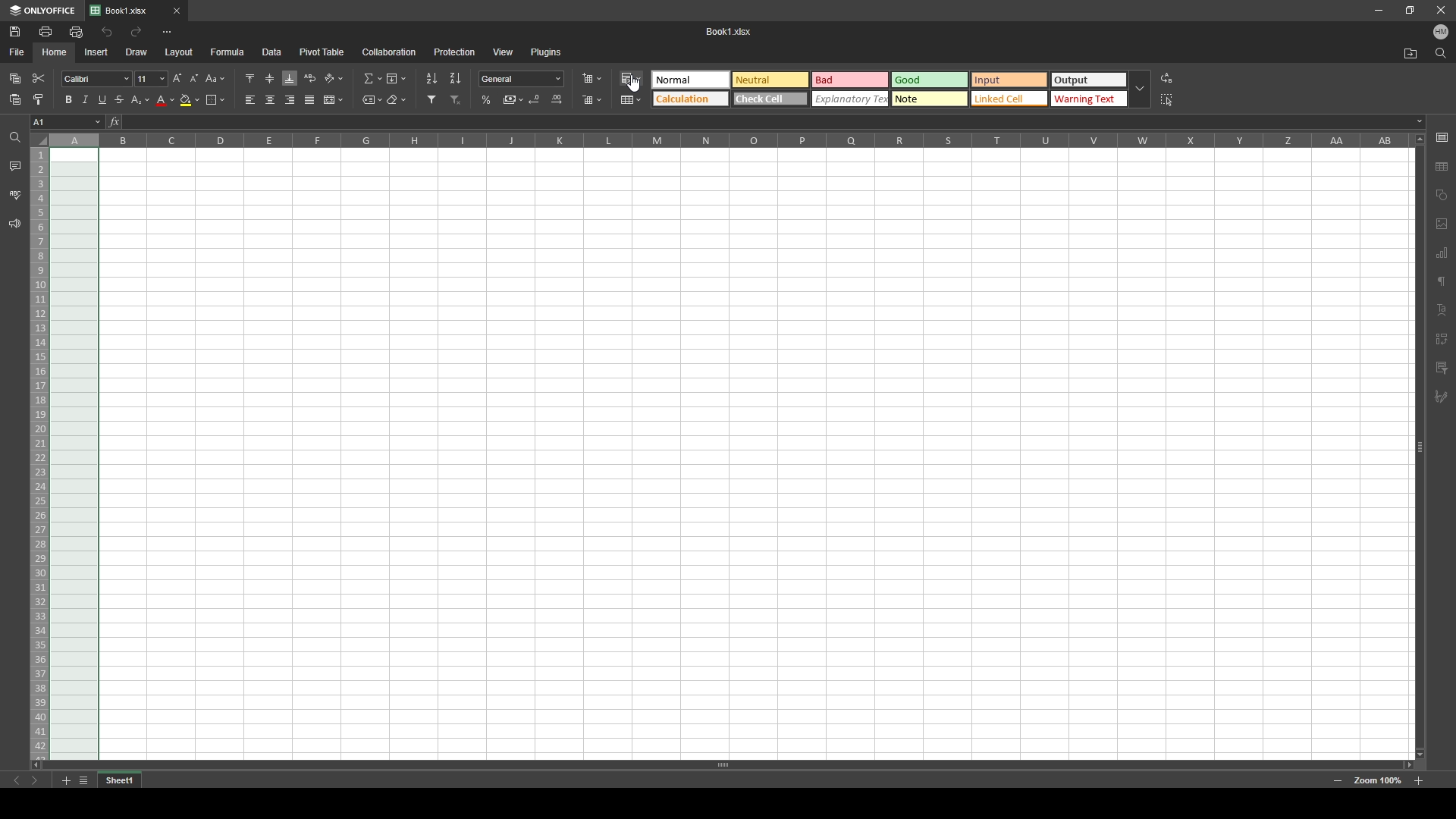 This screenshot has width=1456, height=819. What do you see at coordinates (536, 99) in the screenshot?
I see `decrease decimal` at bounding box center [536, 99].